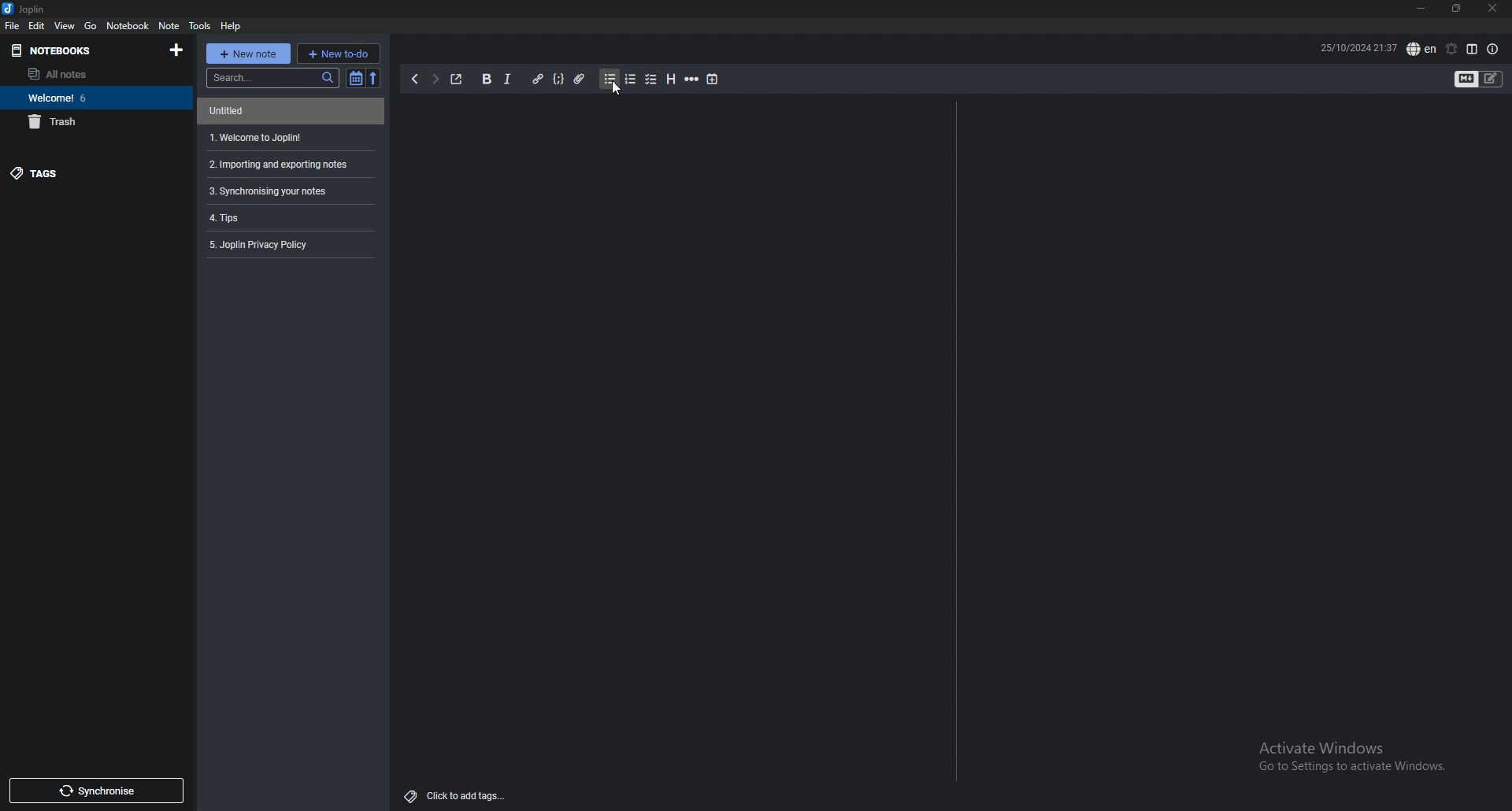 The height and width of the screenshot is (811, 1512). Describe the element at coordinates (269, 80) in the screenshot. I see `search bar` at that location.